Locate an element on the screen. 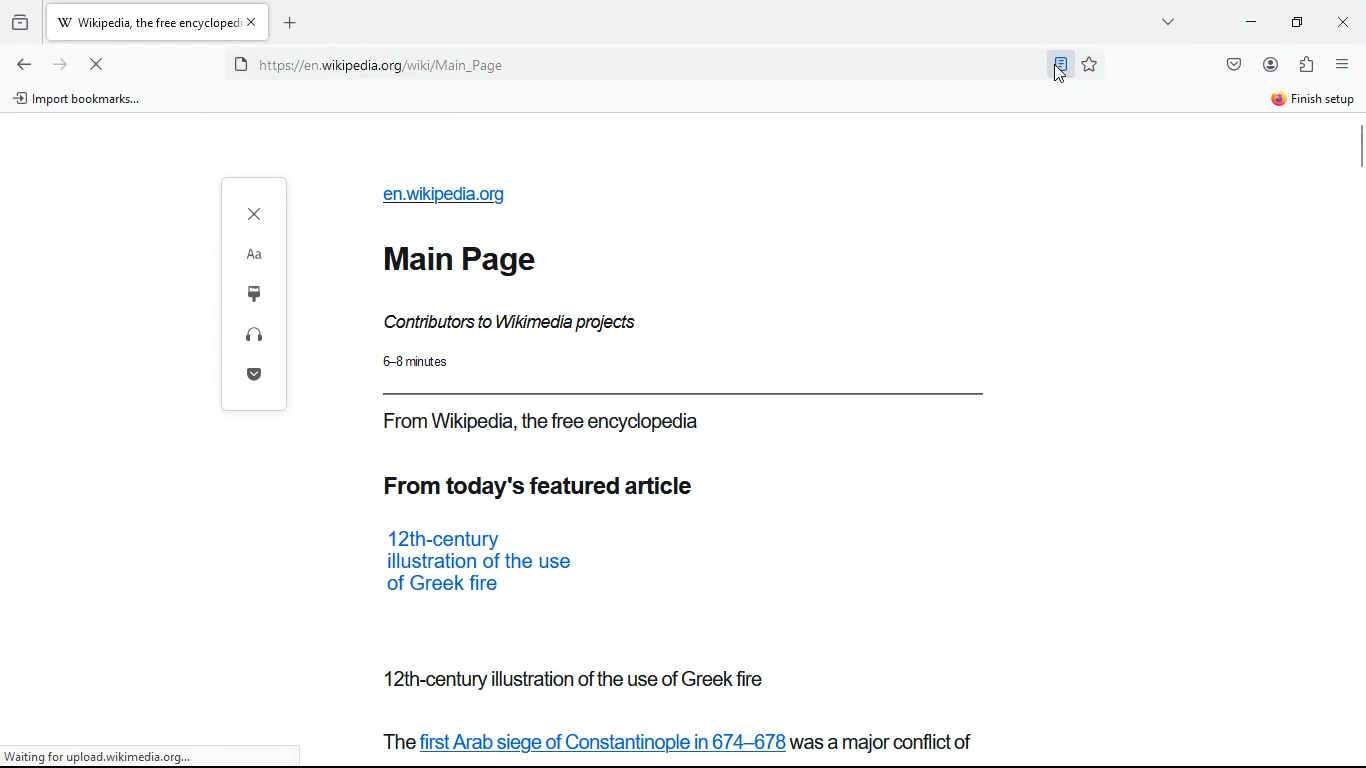  history is located at coordinates (19, 24).